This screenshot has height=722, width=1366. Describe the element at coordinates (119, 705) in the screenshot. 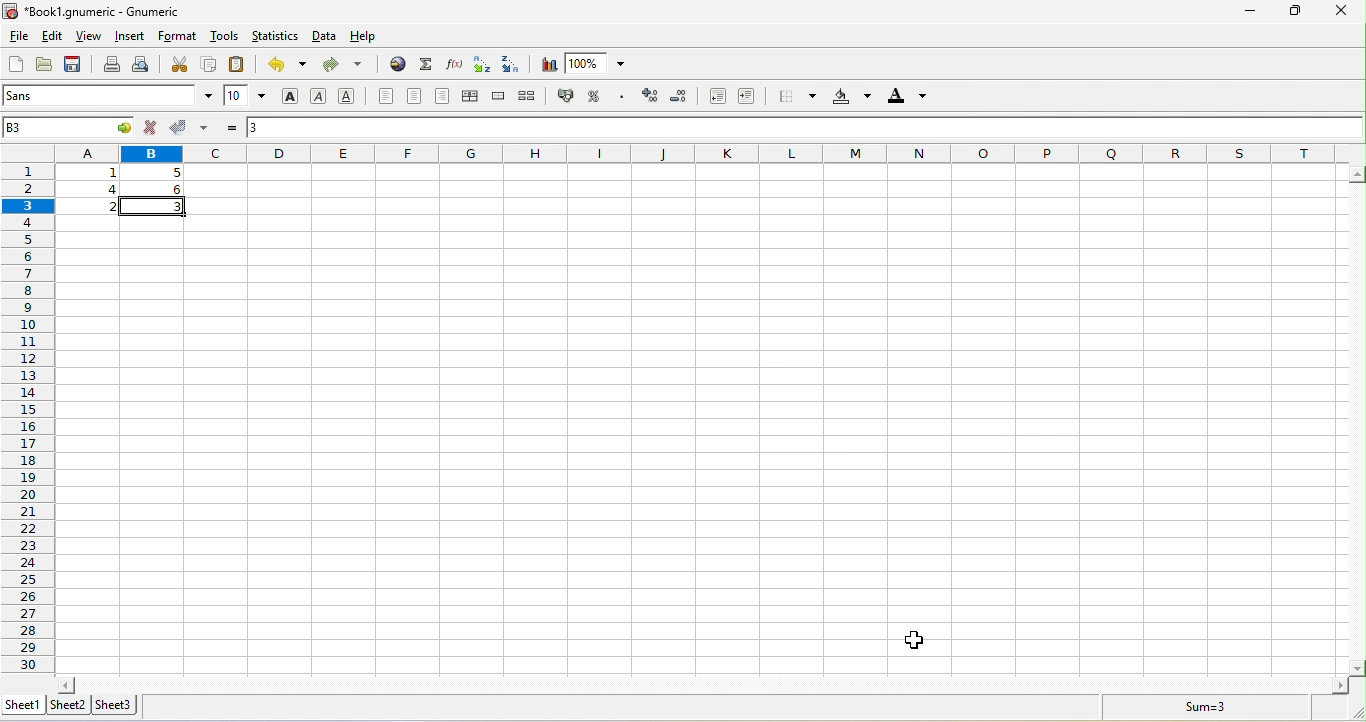

I see `sheet 3` at that location.